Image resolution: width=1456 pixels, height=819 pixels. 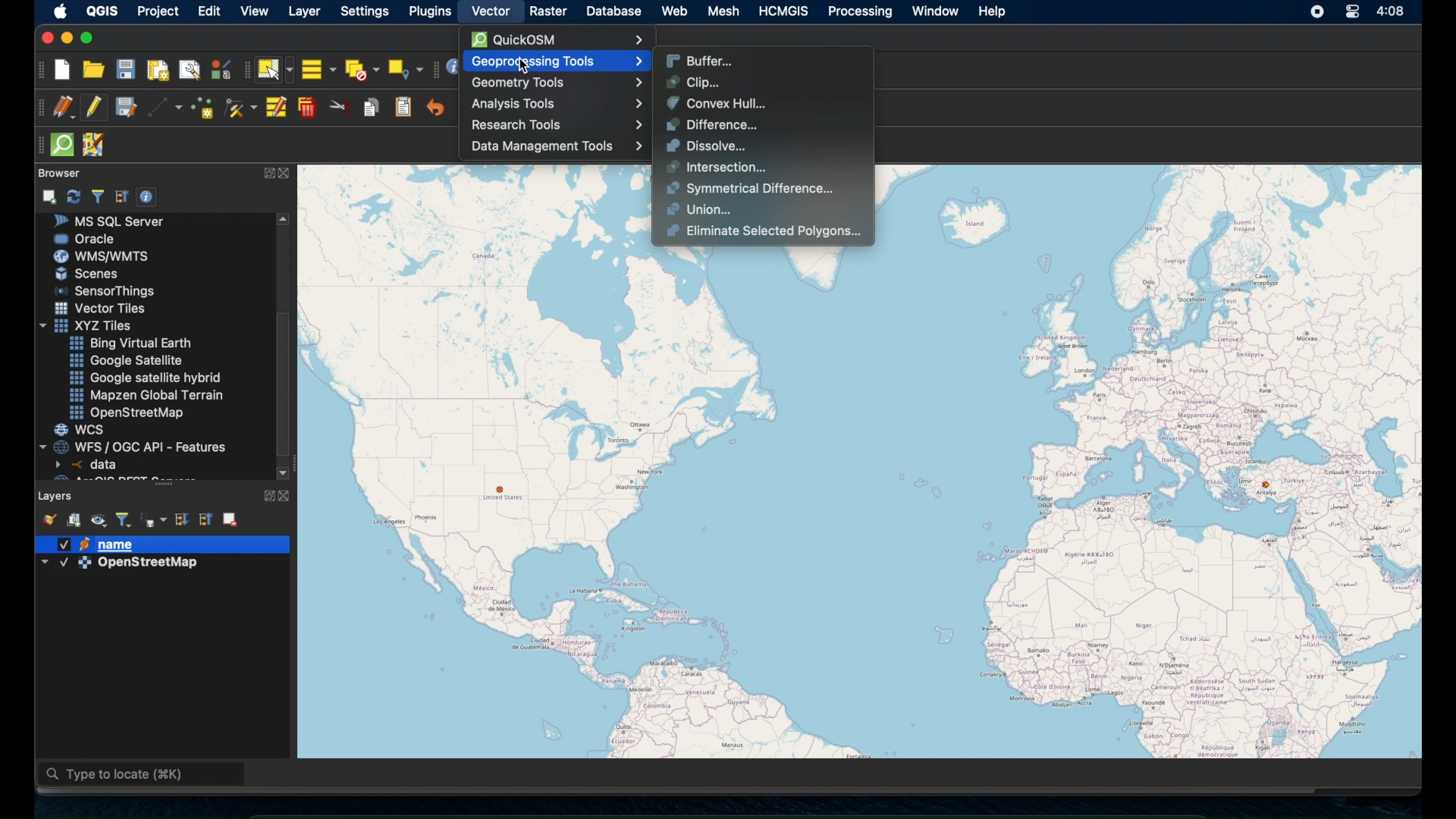 I want to click on style manager, so click(x=48, y=518).